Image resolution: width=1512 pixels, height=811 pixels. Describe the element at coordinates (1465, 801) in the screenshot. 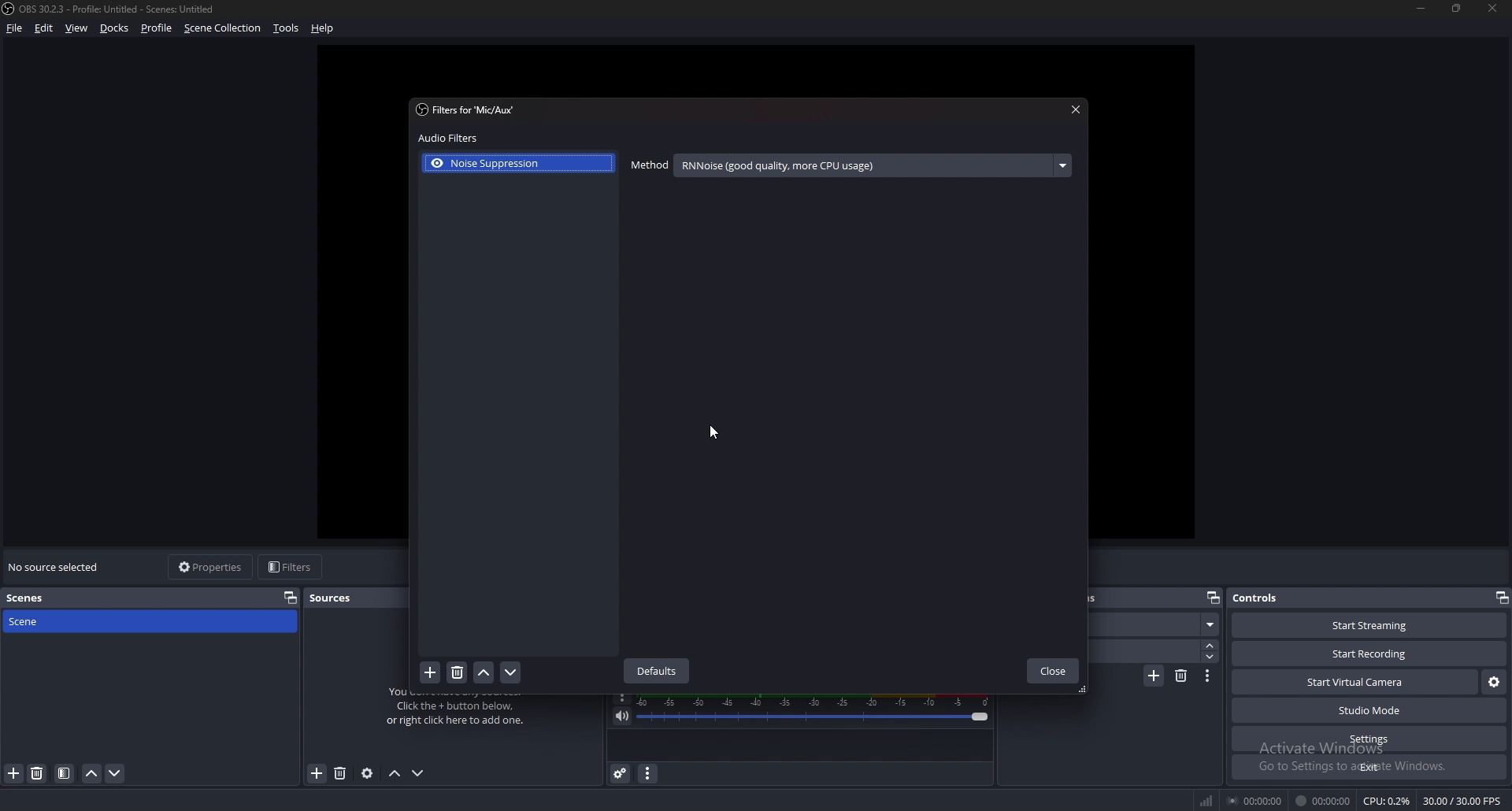

I see `30.00/30.00 FPS` at that location.